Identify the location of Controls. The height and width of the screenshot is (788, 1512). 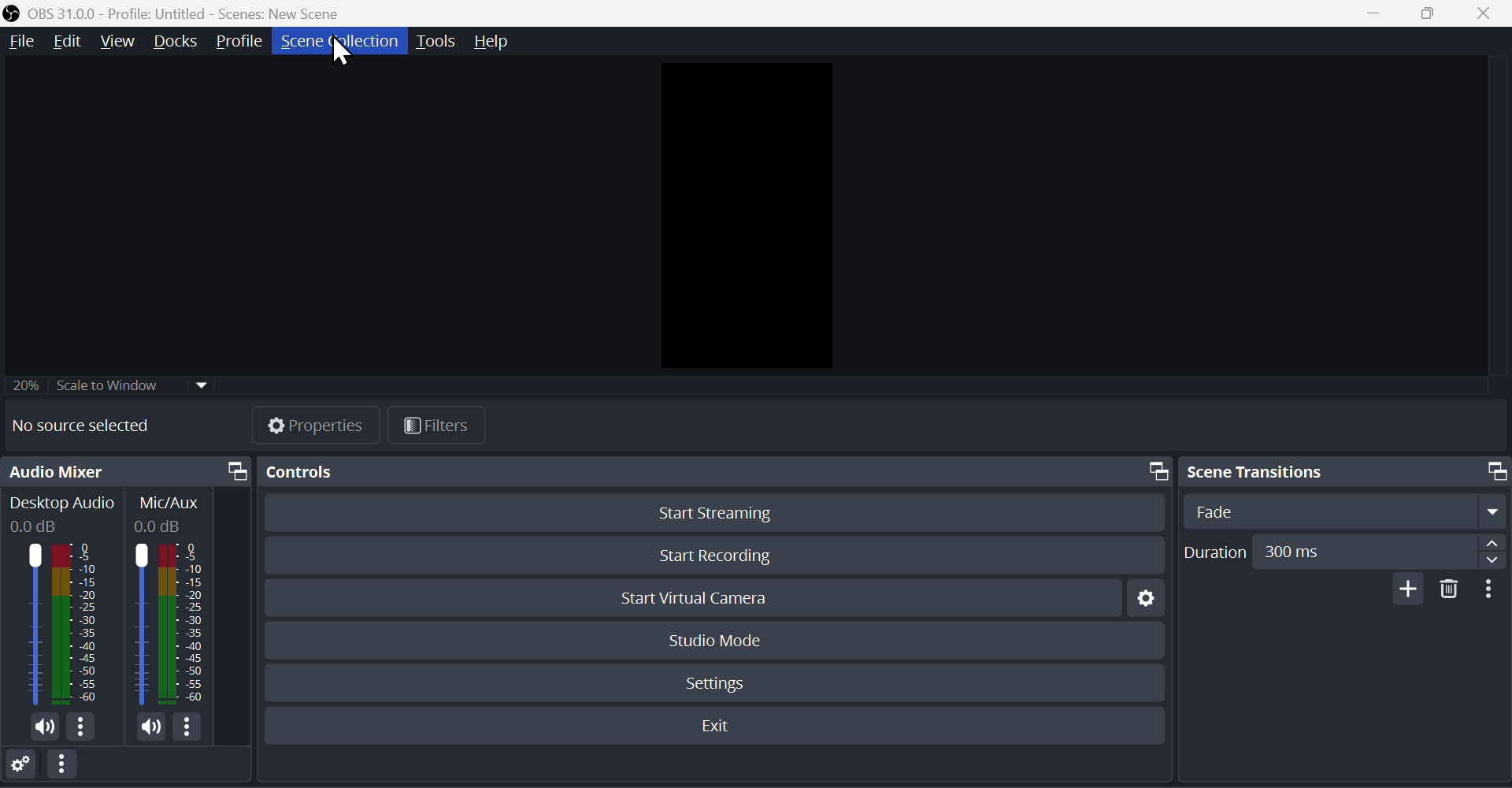
(710, 470).